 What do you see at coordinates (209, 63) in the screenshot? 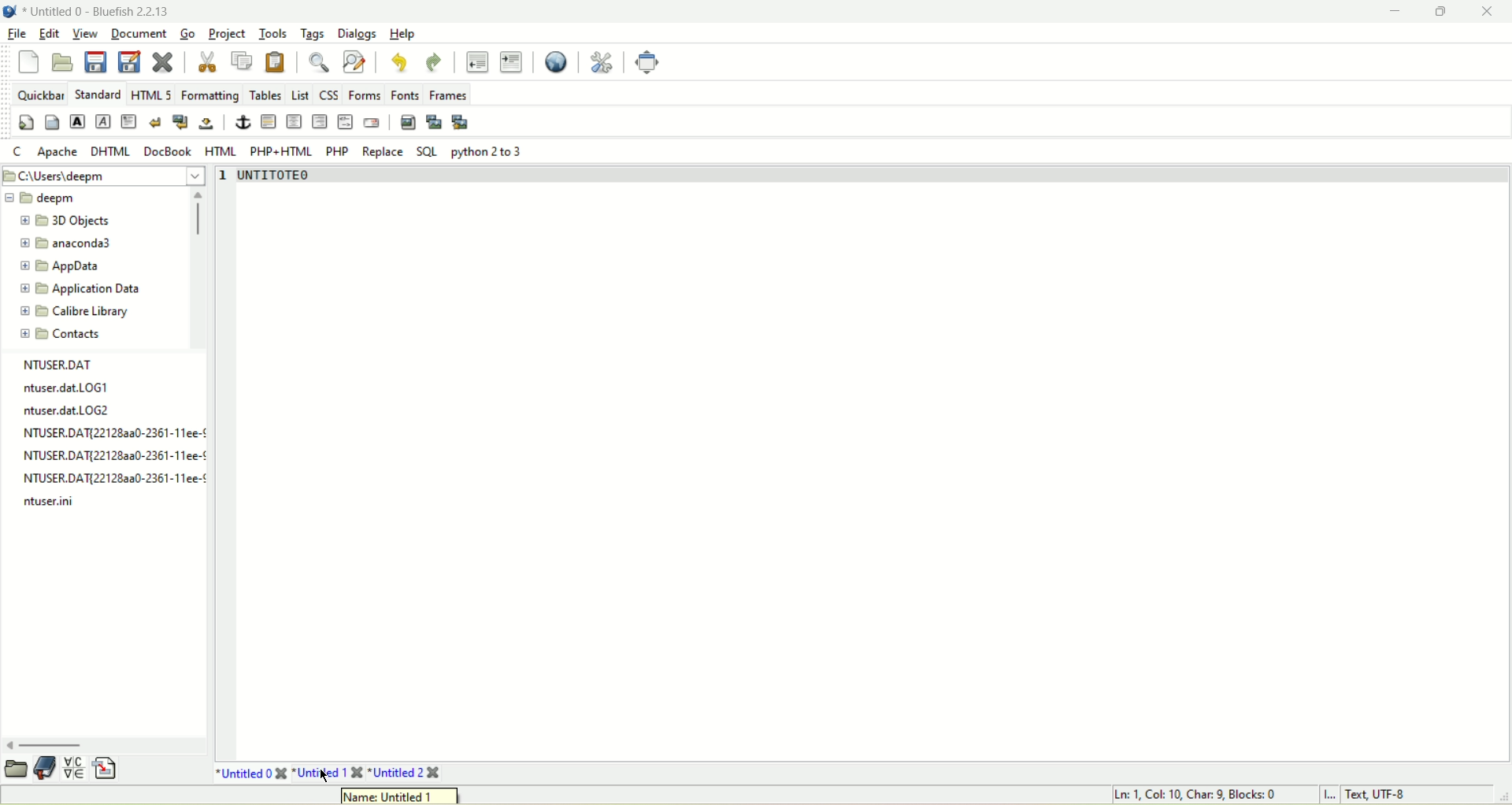
I see `cut` at bounding box center [209, 63].